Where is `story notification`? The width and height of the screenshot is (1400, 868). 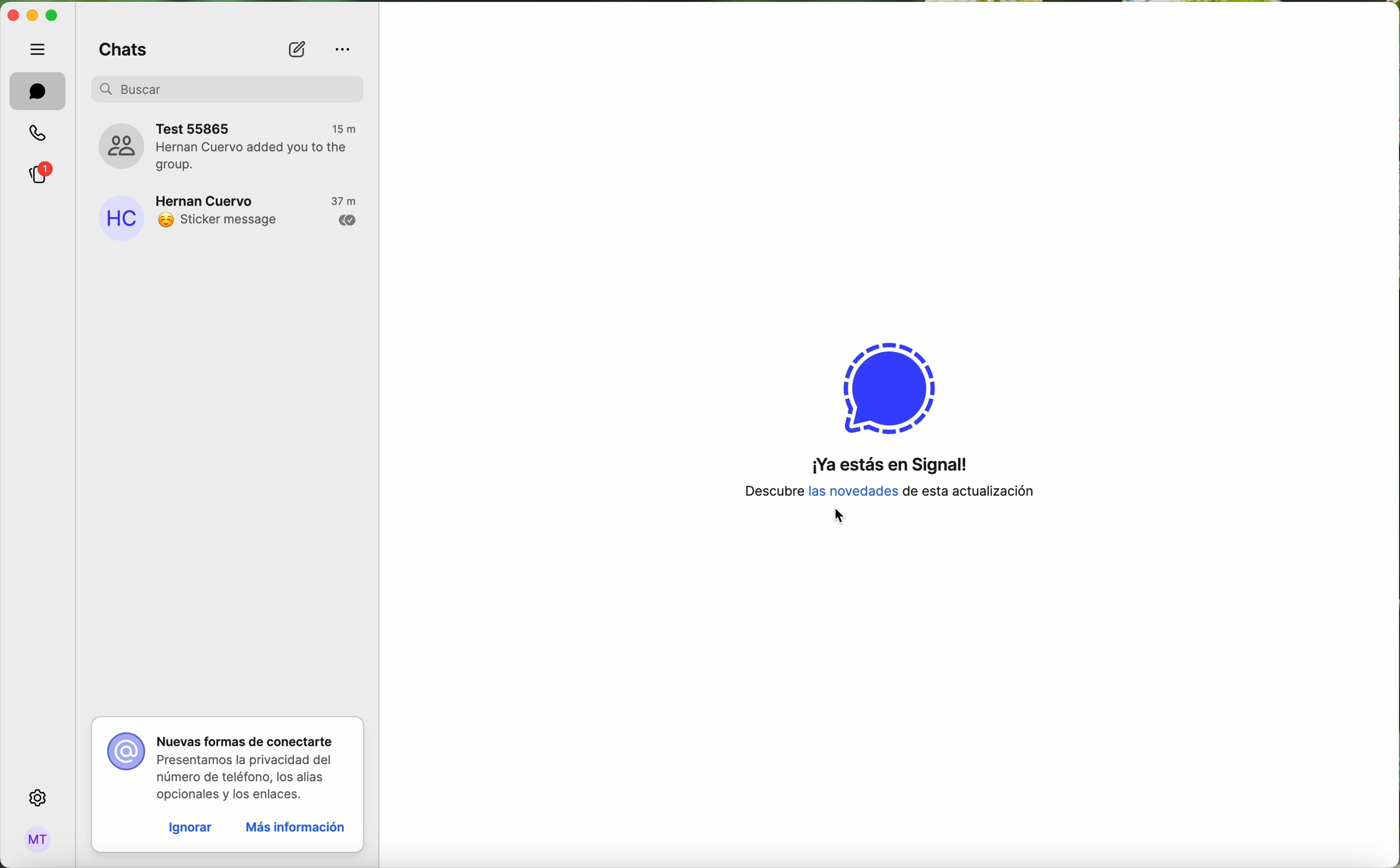 story notification is located at coordinates (43, 172).